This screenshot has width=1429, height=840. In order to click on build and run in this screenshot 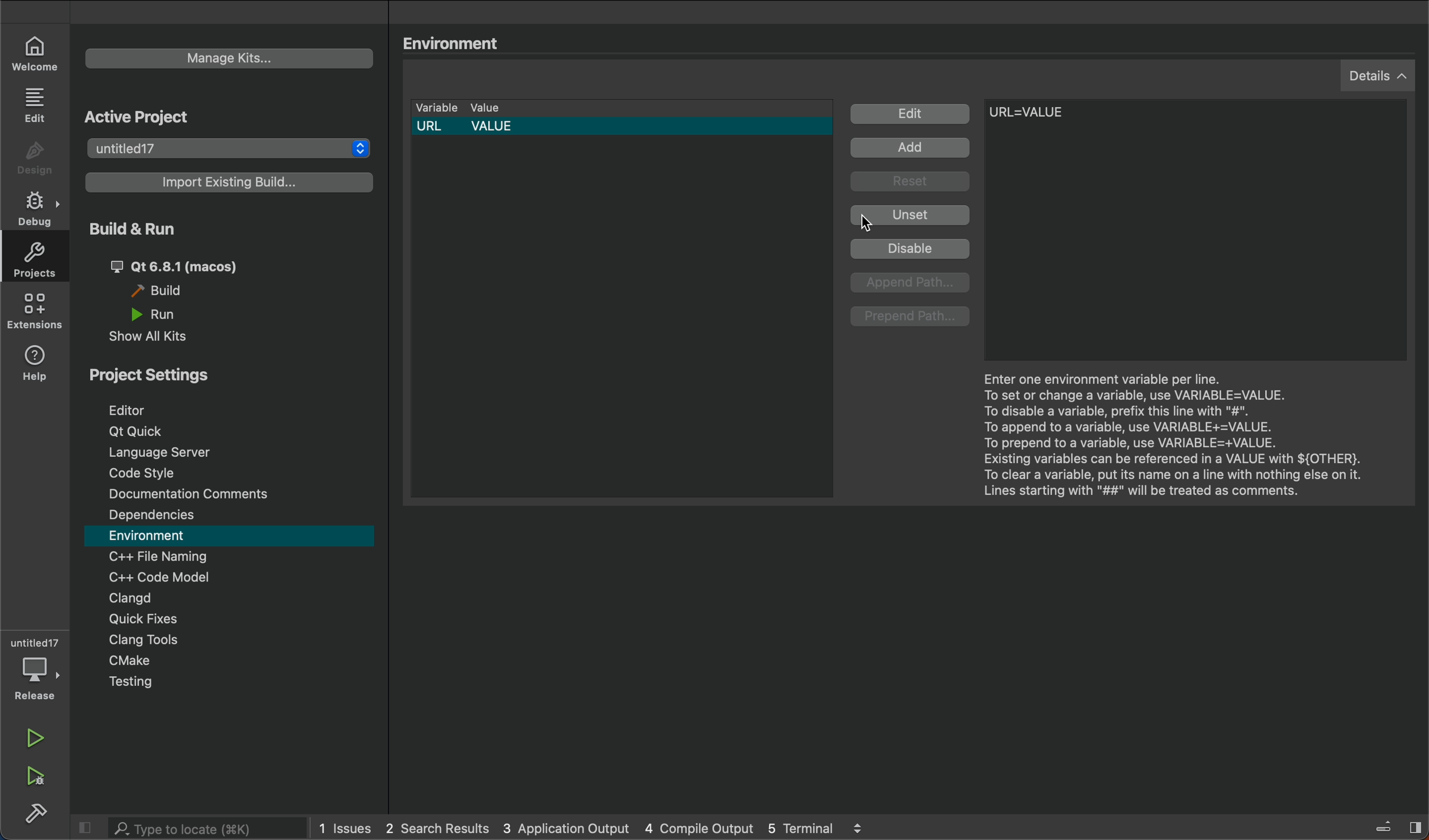, I will do `click(131, 230)`.